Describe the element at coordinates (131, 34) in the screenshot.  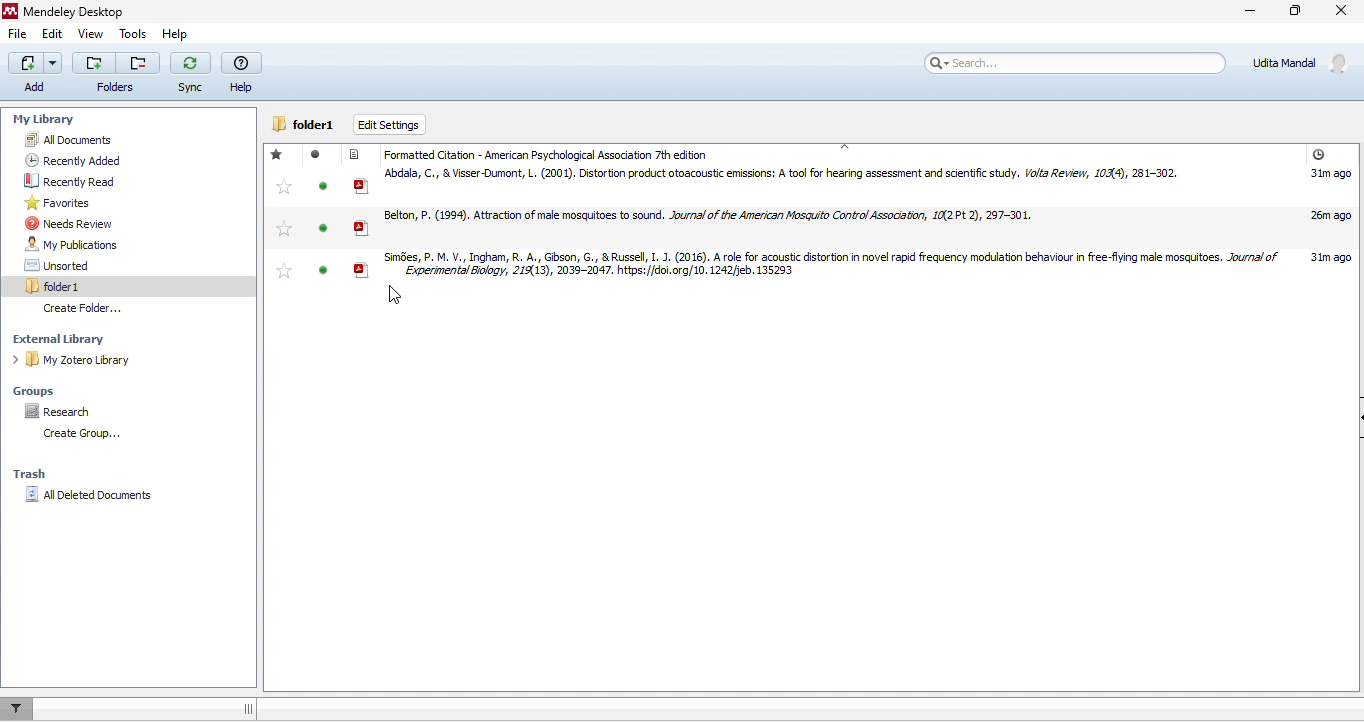
I see `tools` at that location.